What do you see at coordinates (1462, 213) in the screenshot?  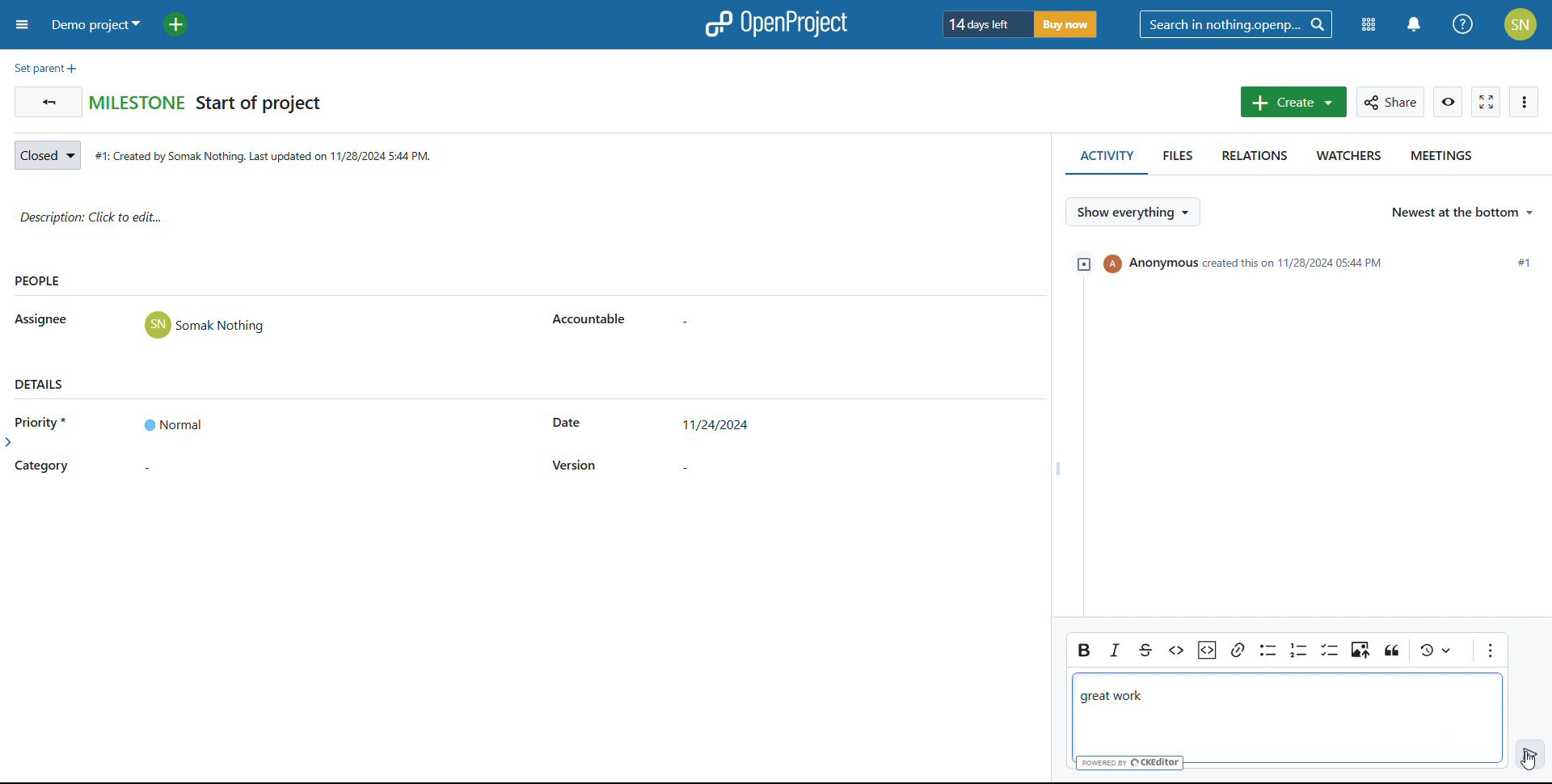 I see `select sorting` at bounding box center [1462, 213].